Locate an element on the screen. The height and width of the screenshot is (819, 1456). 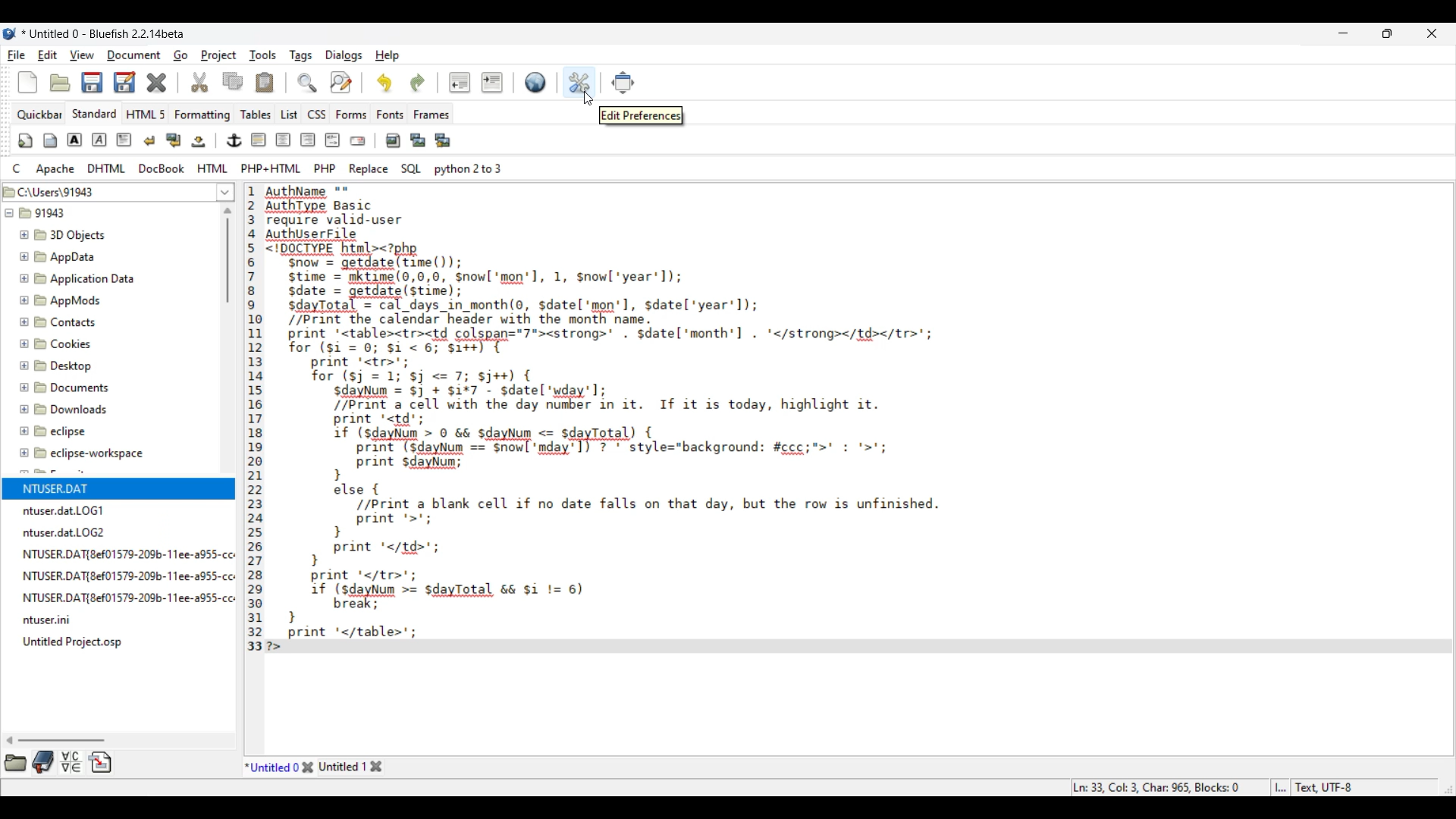
Contacts is located at coordinates (65, 322).